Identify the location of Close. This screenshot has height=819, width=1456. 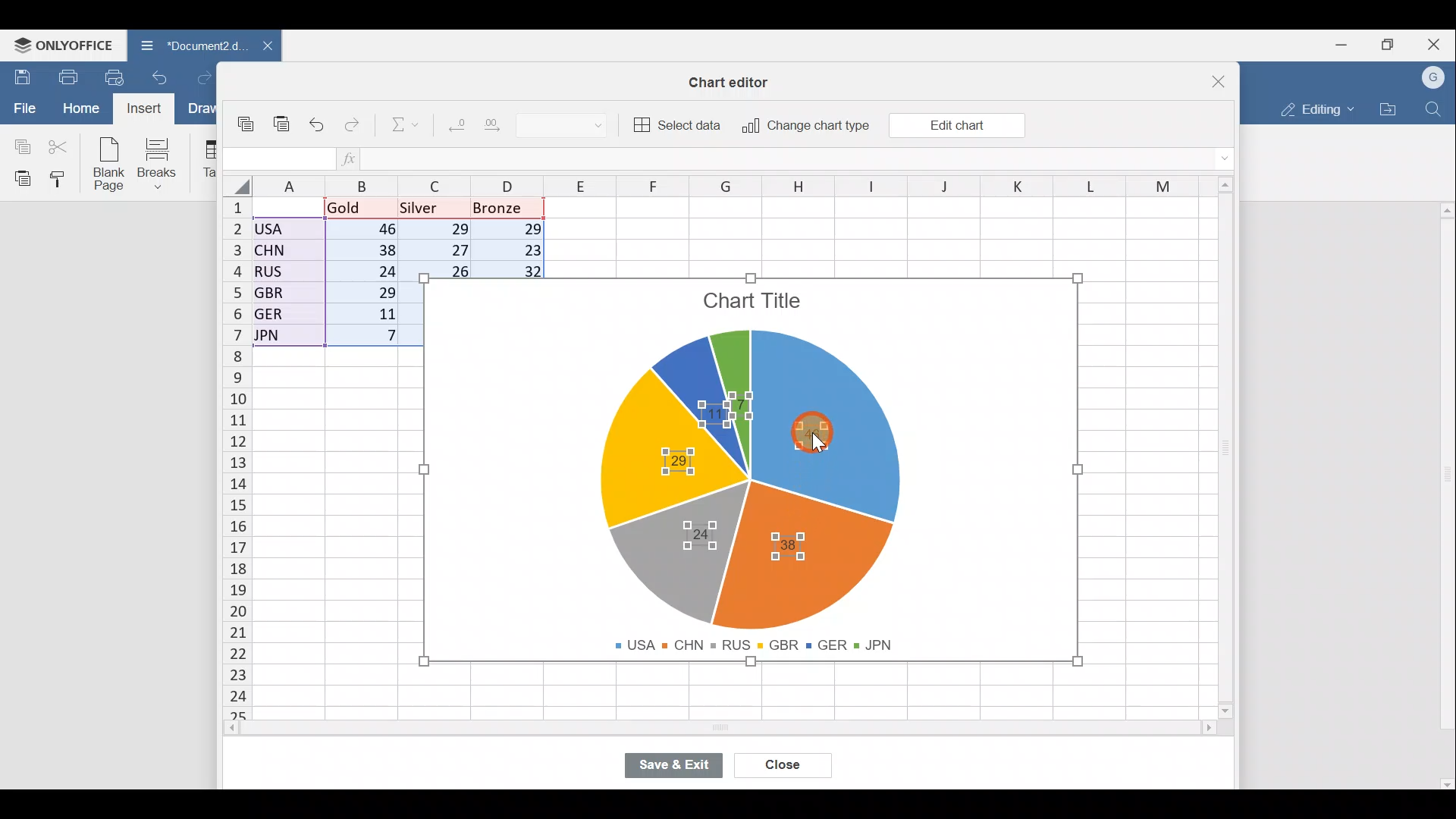
(786, 767).